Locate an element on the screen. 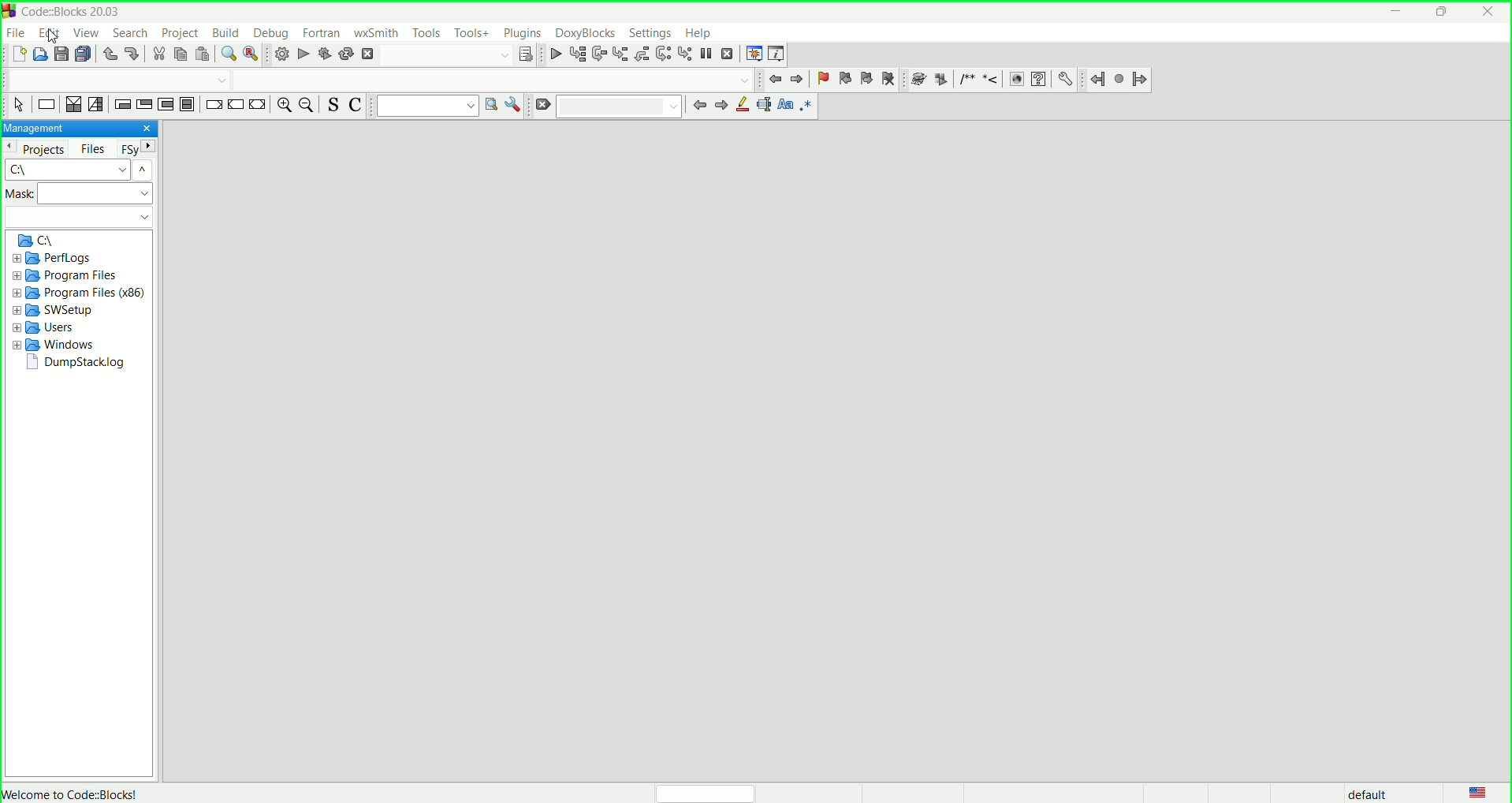  run to cursor is located at coordinates (579, 54).